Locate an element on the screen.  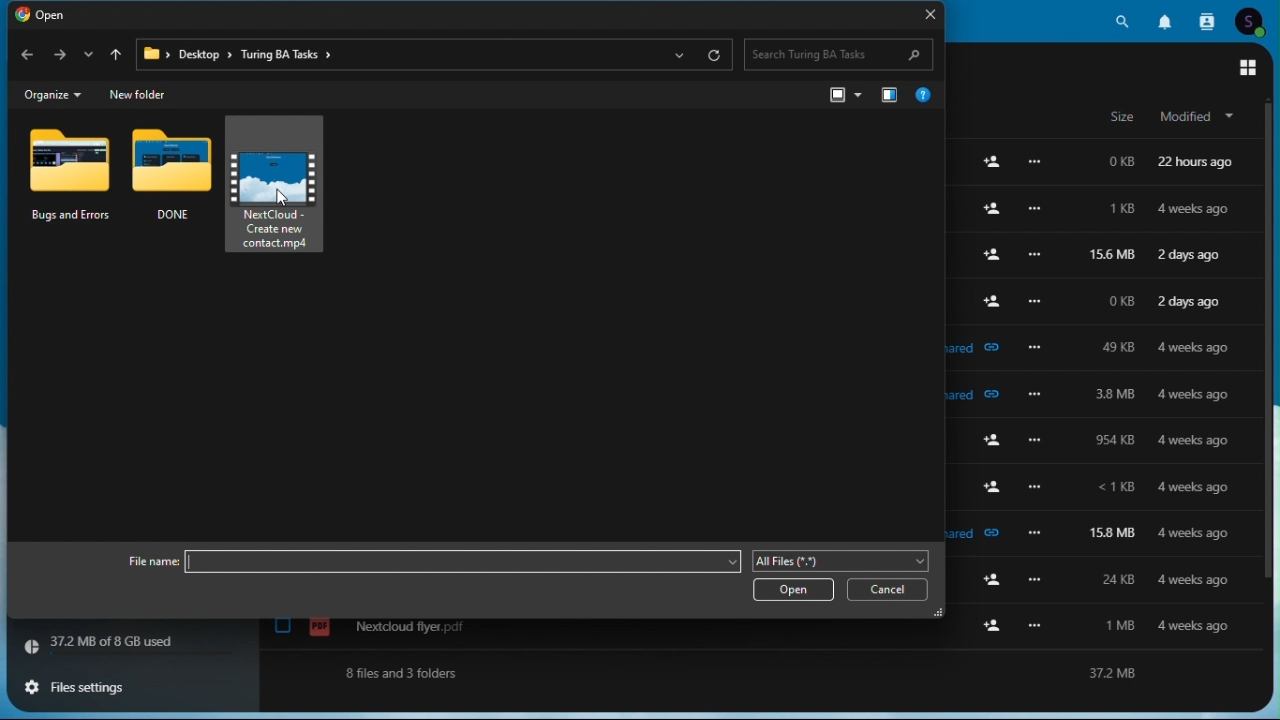
more options is located at coordinates (1043, 349).